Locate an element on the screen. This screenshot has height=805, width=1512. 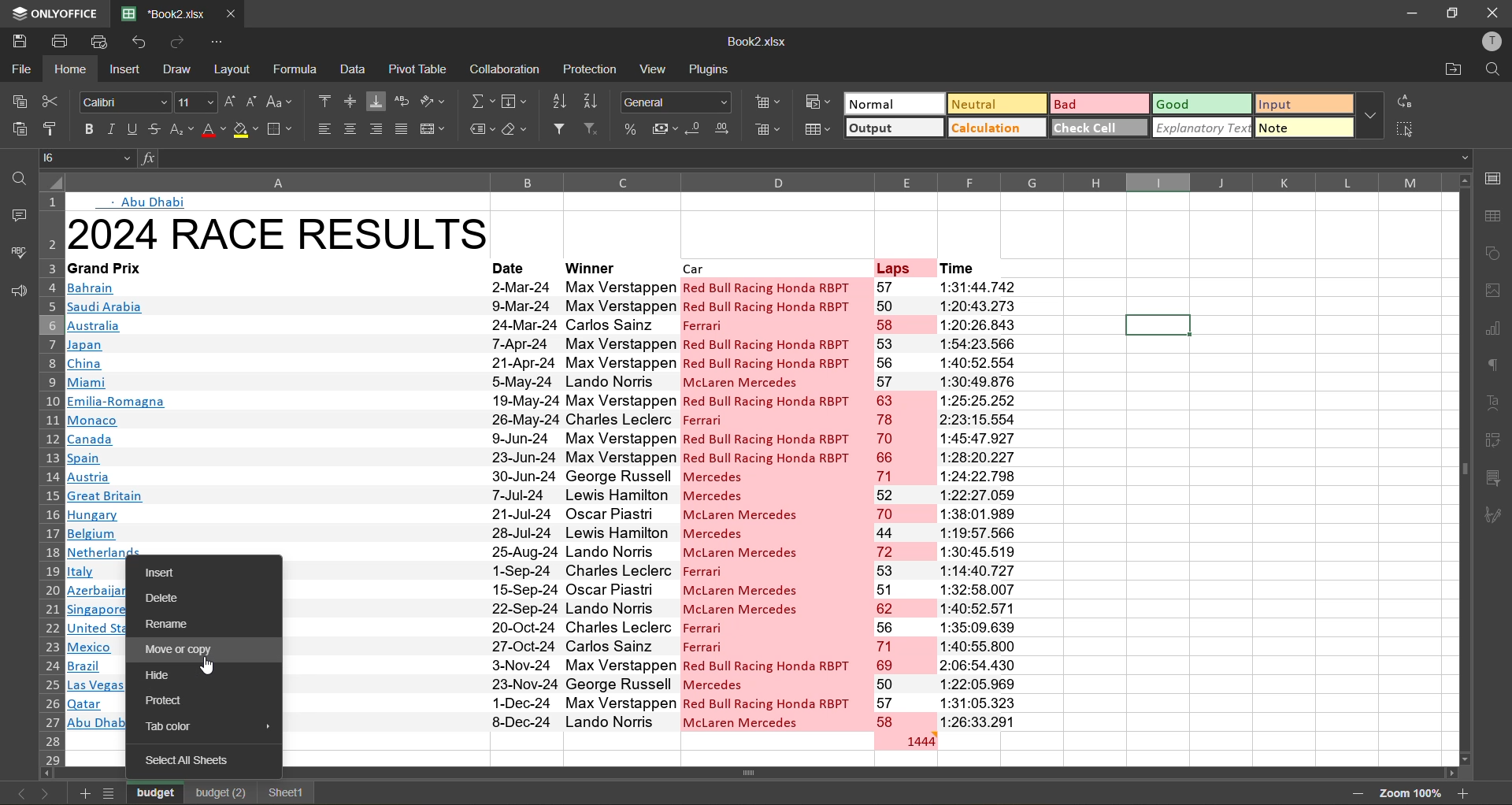
orientation is located at coordinates (435, 102).